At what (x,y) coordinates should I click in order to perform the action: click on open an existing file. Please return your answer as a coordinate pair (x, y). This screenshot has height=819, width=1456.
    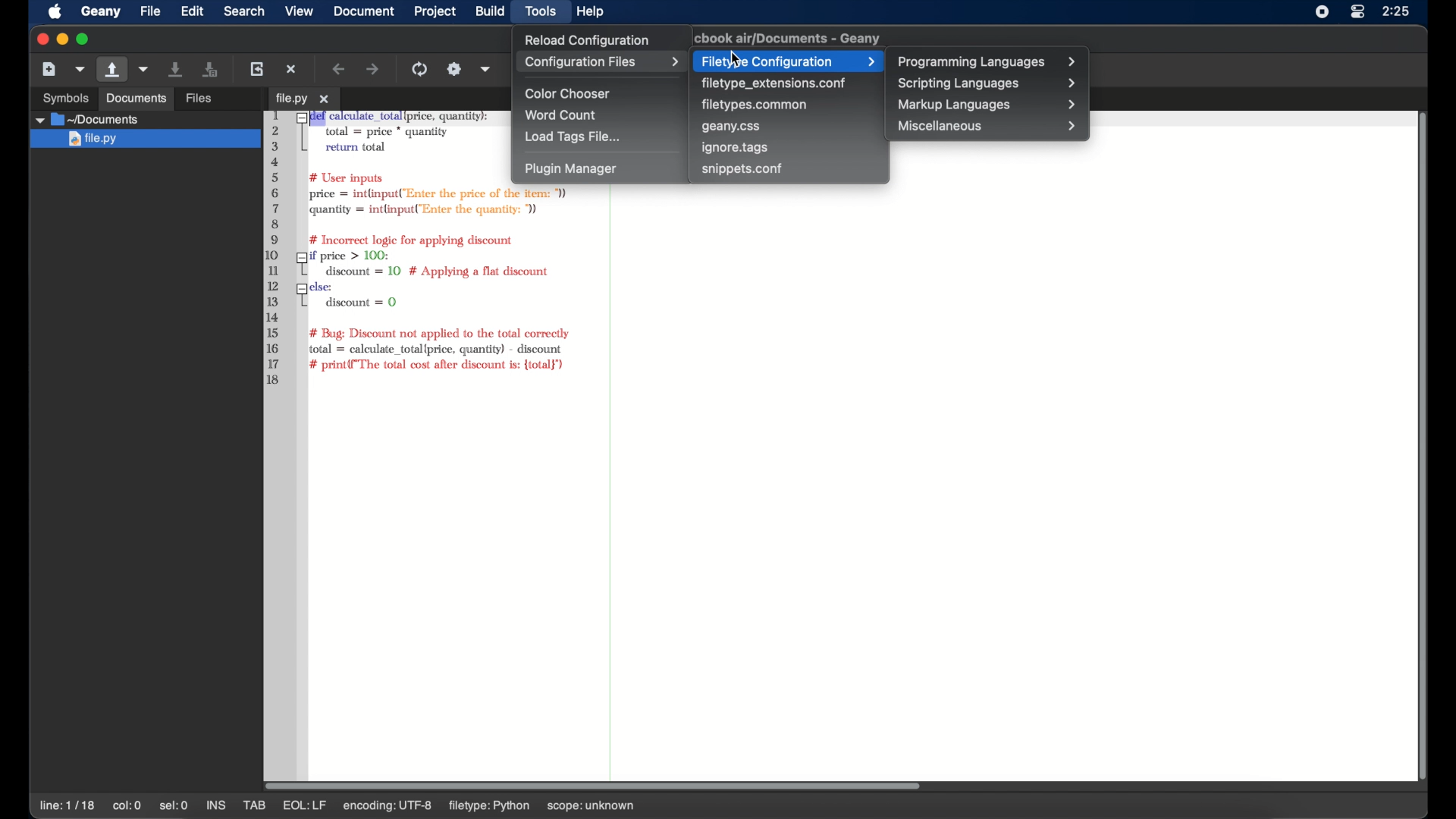
    Looking at the image, I should click on (113, 70).